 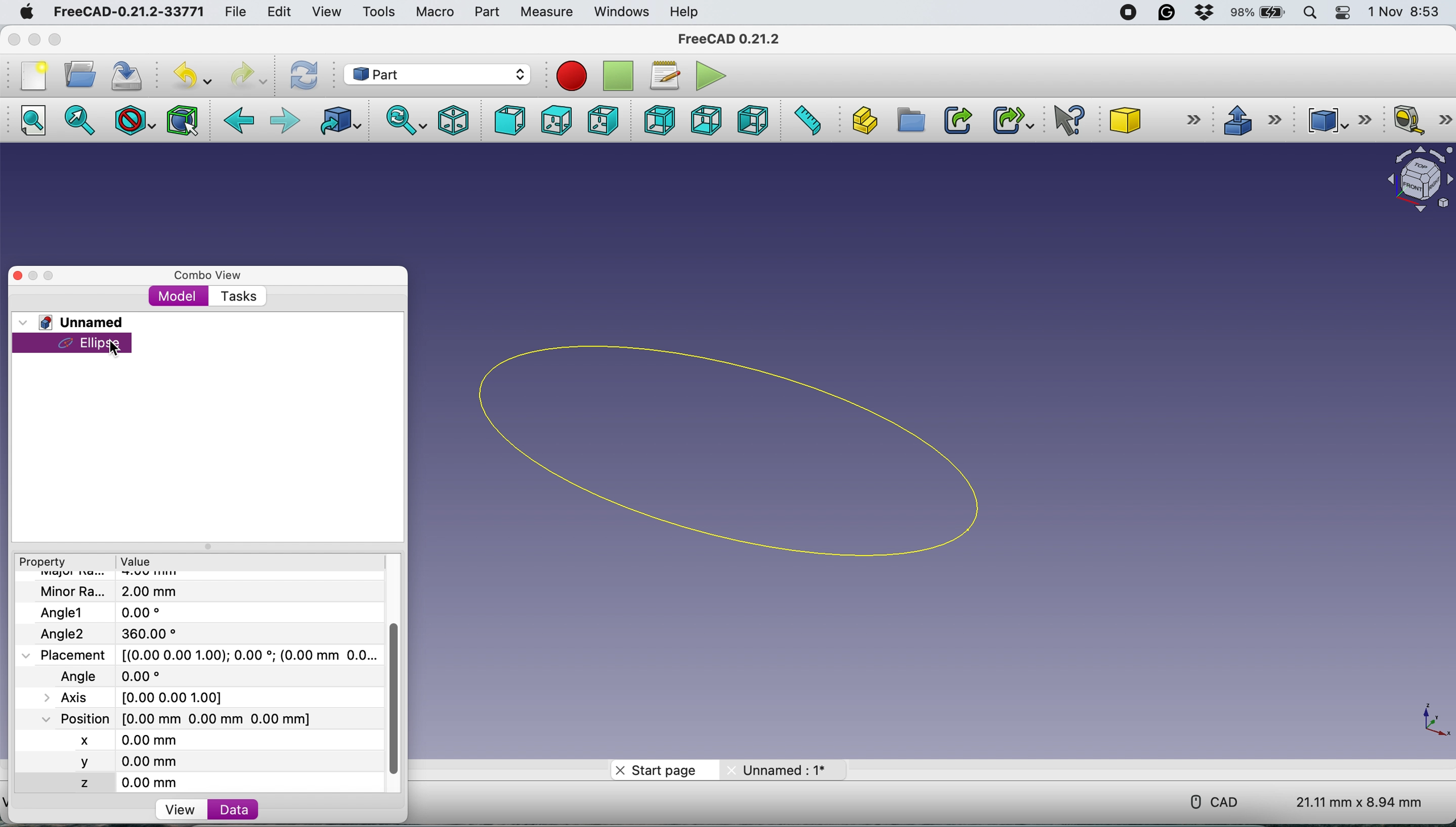 What do you see at coordinates (1311, 14) in the screenshot?
I see `spotlight search` at bounding box center [1311, 14].